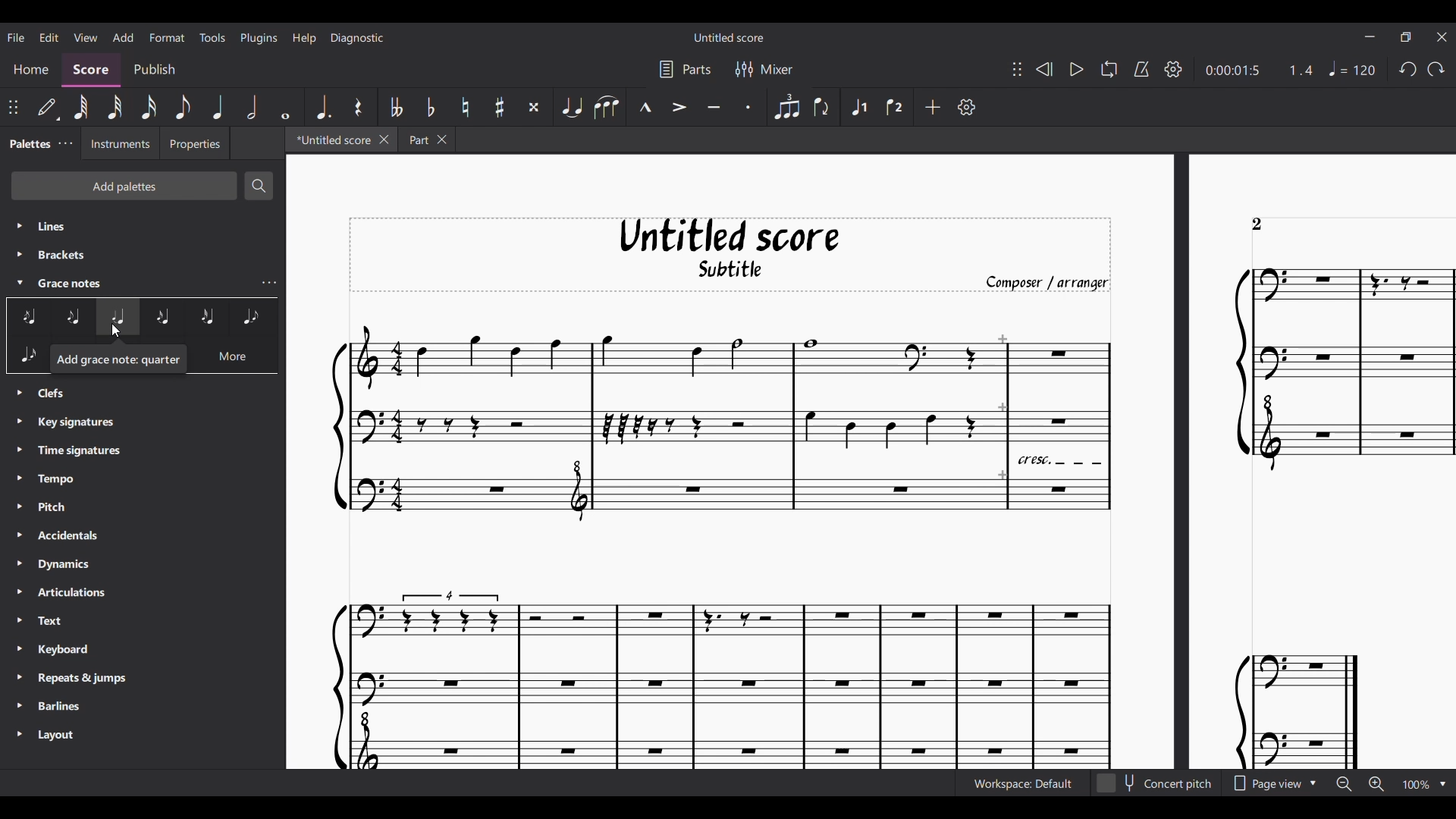  I want to click on Earlier tab, so click(427, 139).